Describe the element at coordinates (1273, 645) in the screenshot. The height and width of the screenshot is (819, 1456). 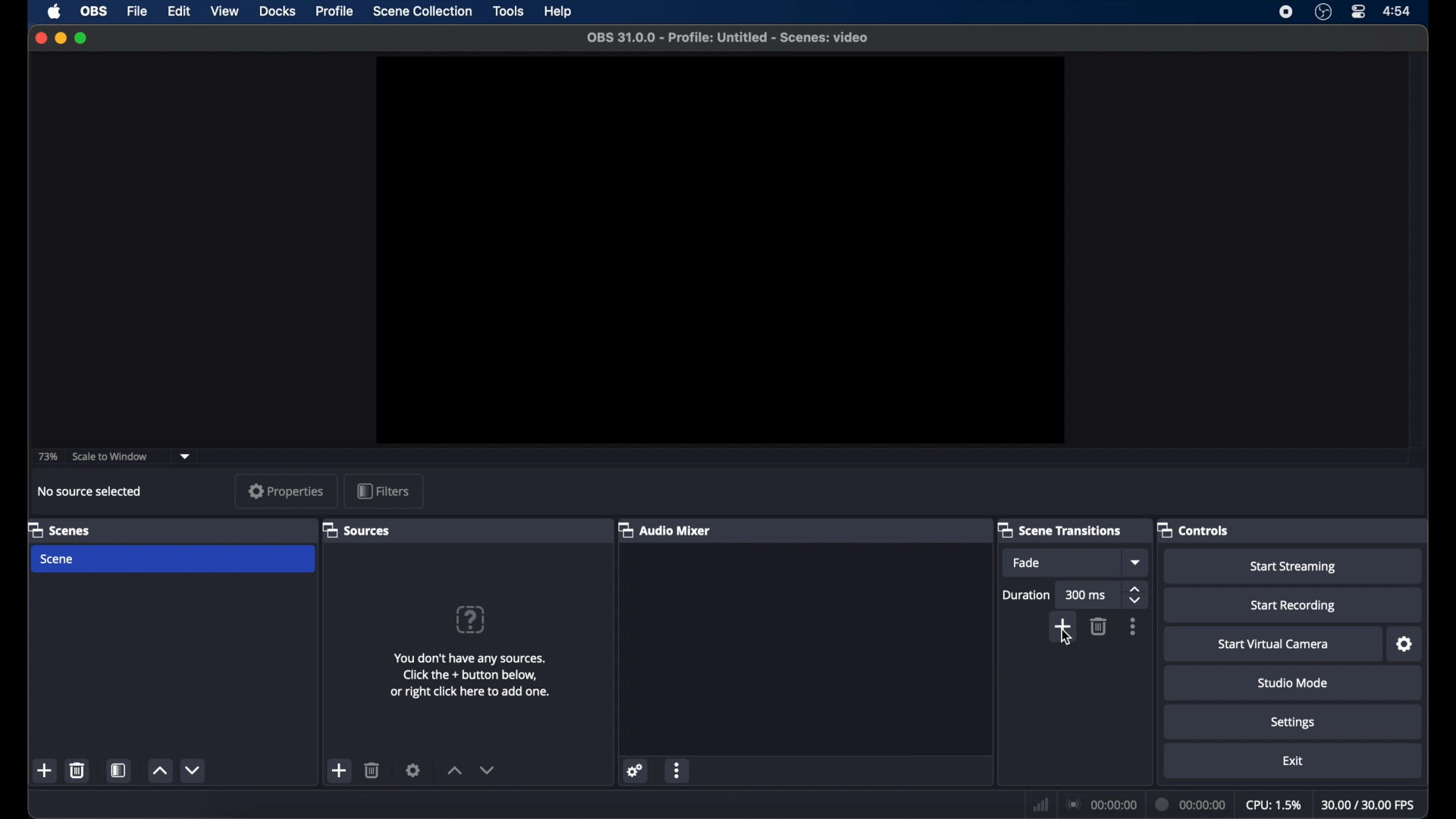
I see `startvirtual camera` at that location.